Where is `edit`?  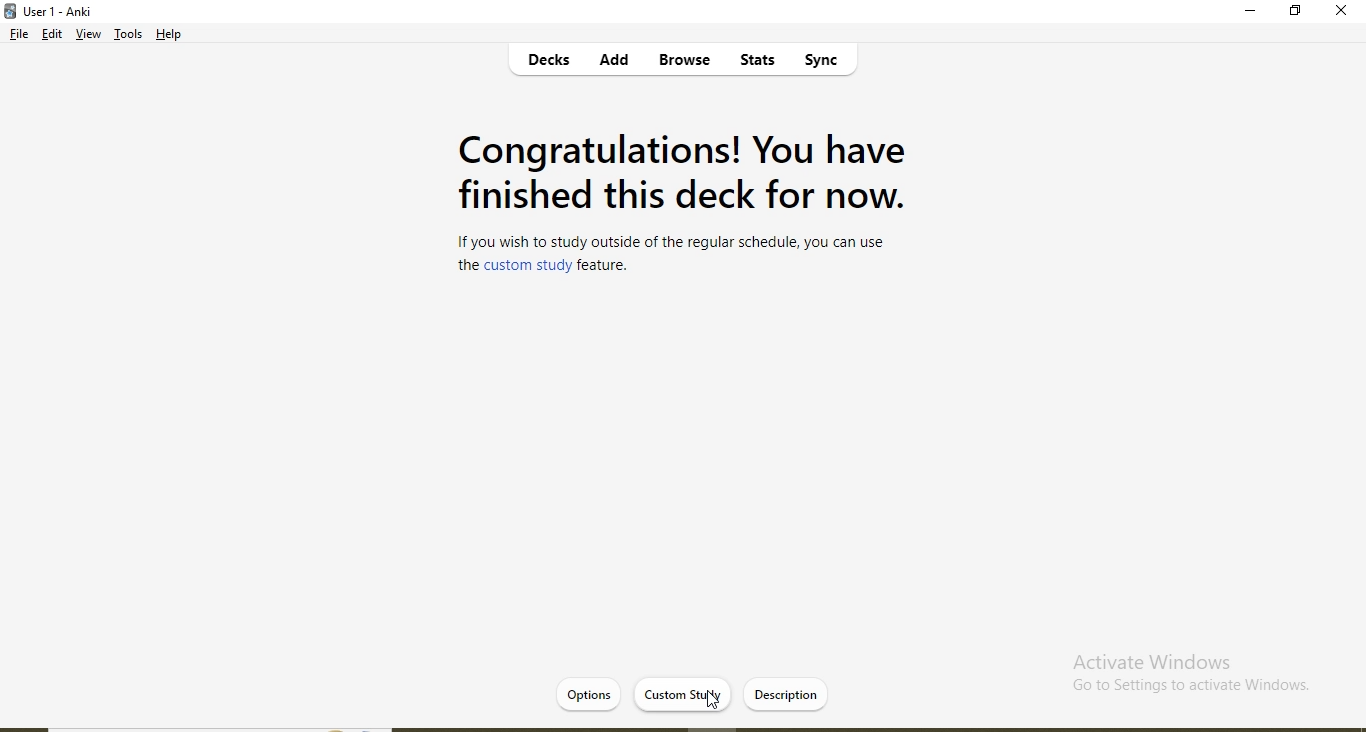
edit is located at coordinates (53, 36).